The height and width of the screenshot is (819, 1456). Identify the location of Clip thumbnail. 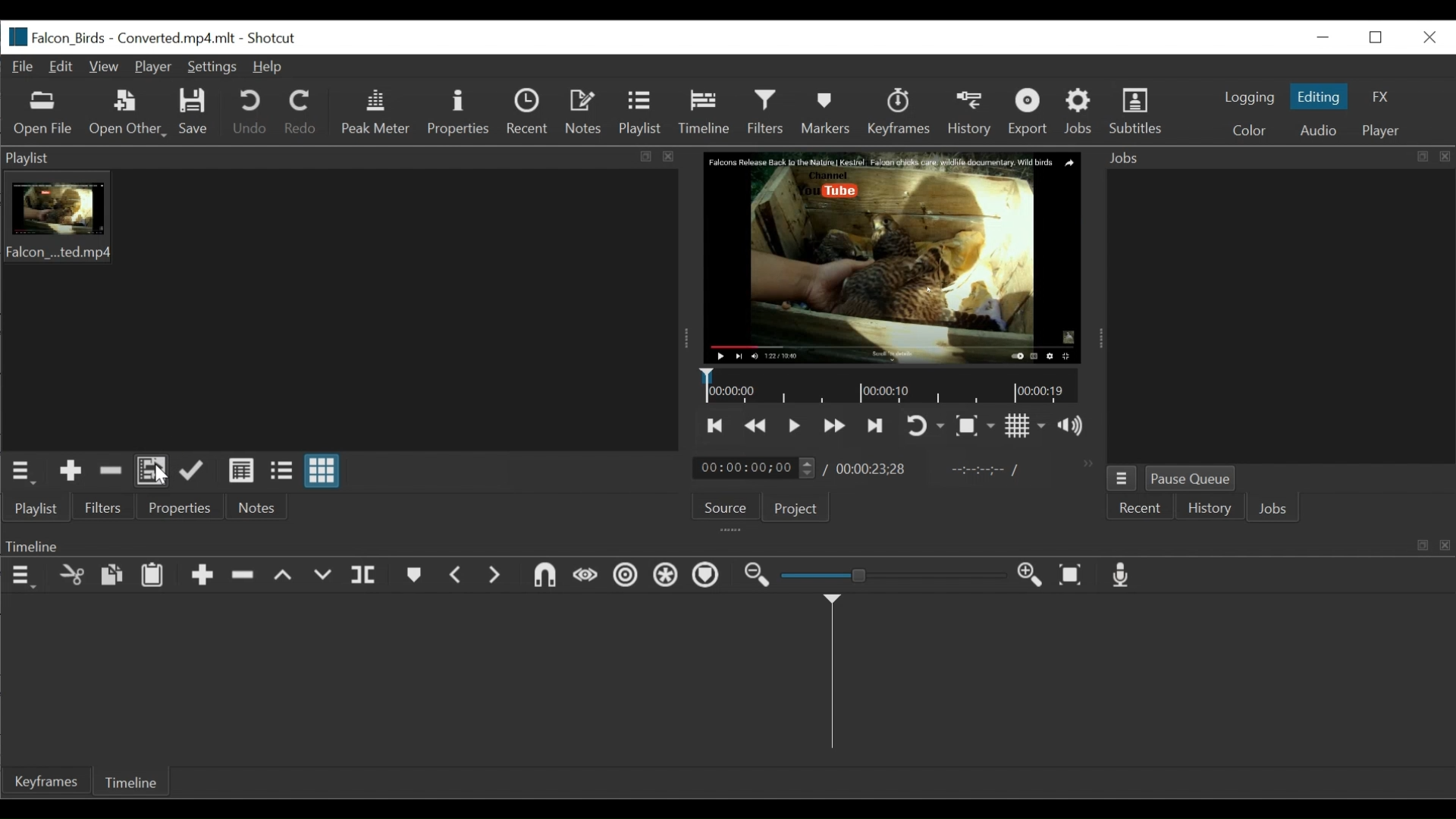
(340, 310).